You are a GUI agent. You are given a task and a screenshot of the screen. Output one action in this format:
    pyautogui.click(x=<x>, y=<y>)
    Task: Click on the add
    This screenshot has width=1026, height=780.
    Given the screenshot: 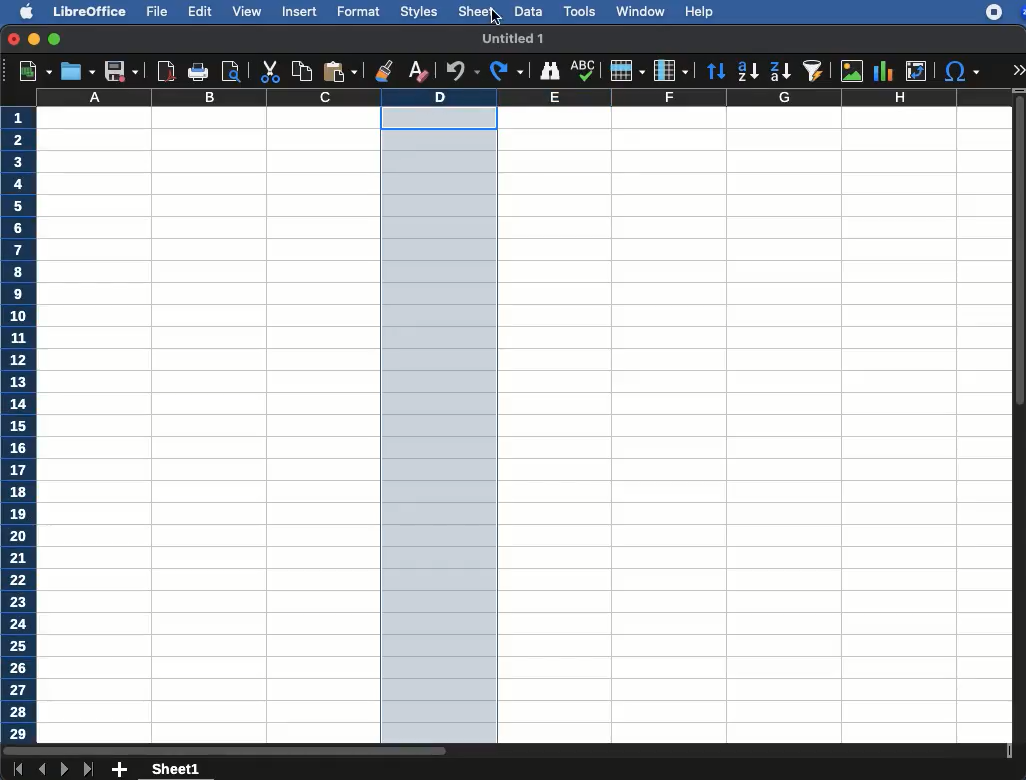 What is the action you would take?
    pyautogui.click(x=120, y=770)
    